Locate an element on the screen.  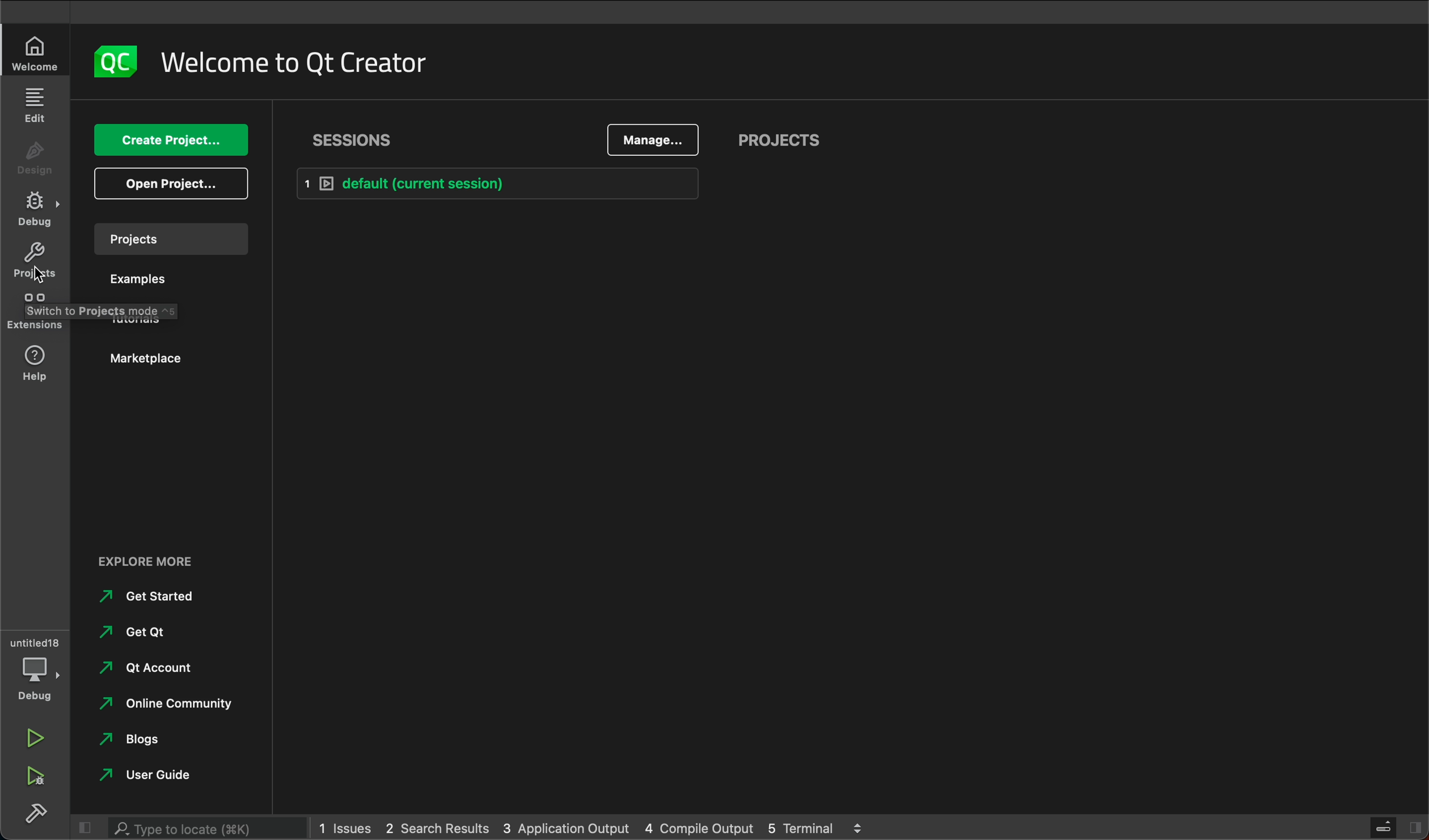
open project is located at coordinates (170, 183).